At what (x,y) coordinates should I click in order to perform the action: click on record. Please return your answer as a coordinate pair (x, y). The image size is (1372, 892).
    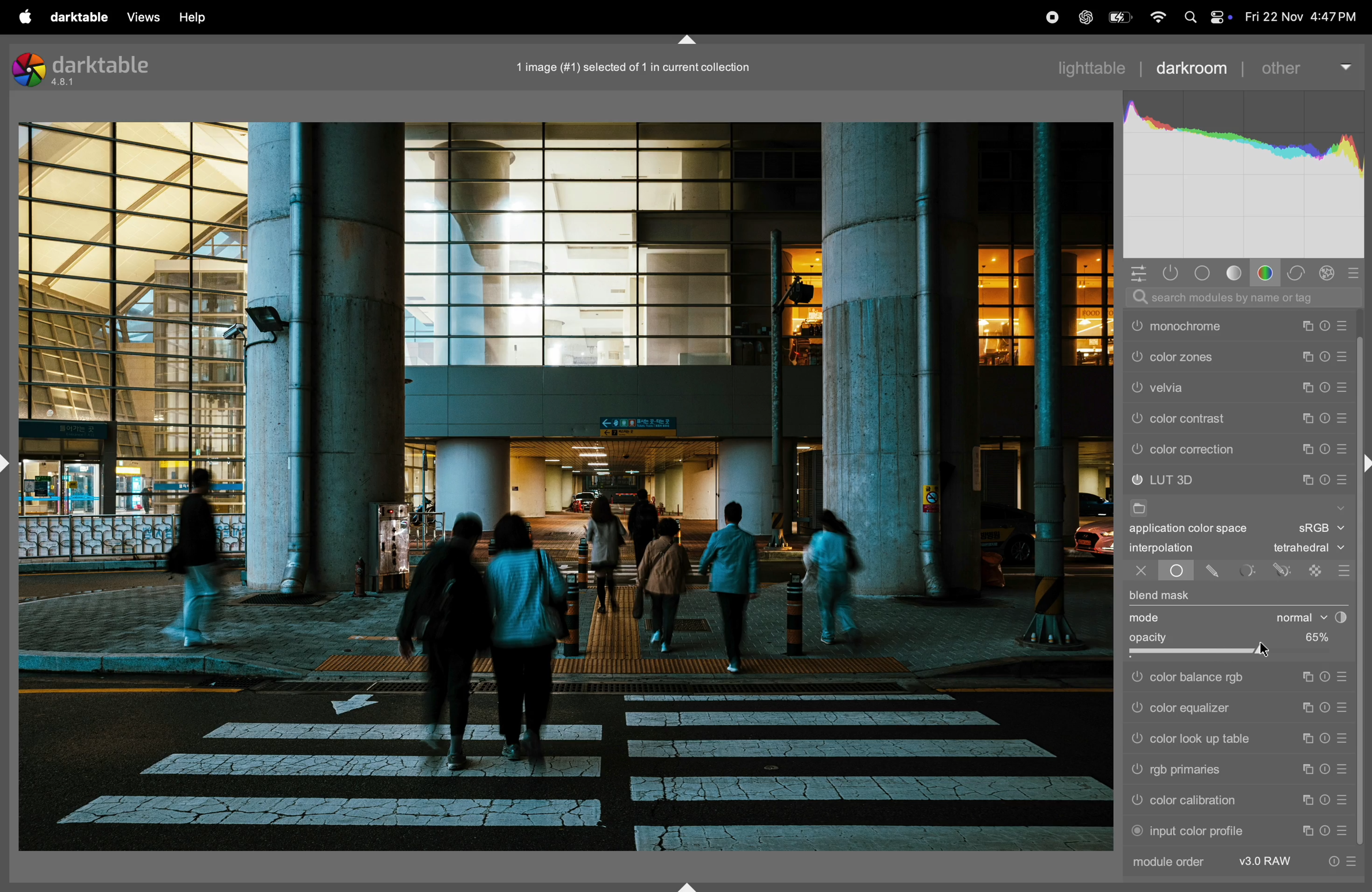
    Looking at the image, I should click on (1047, 17).